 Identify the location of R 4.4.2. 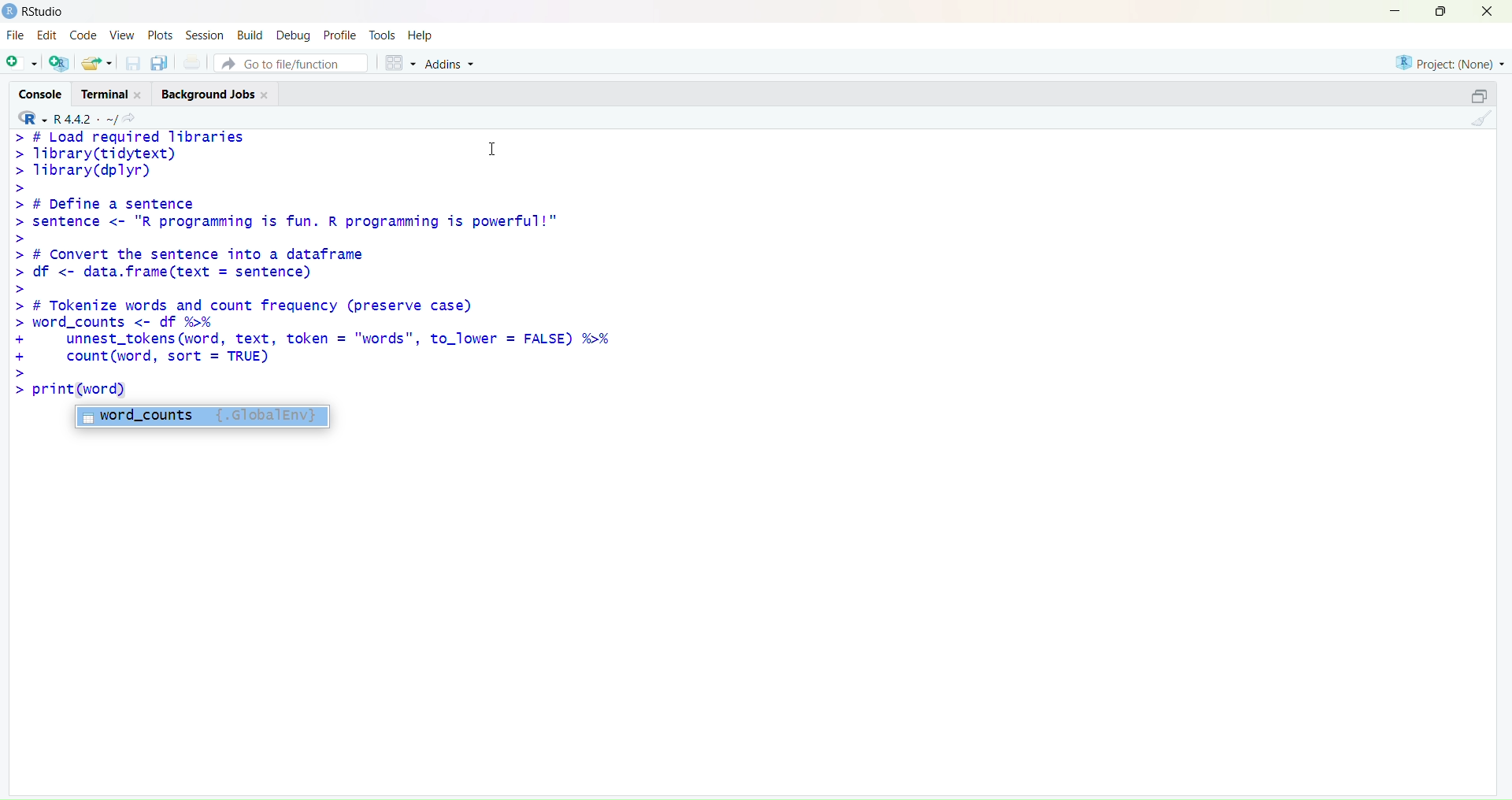
(65, 117).